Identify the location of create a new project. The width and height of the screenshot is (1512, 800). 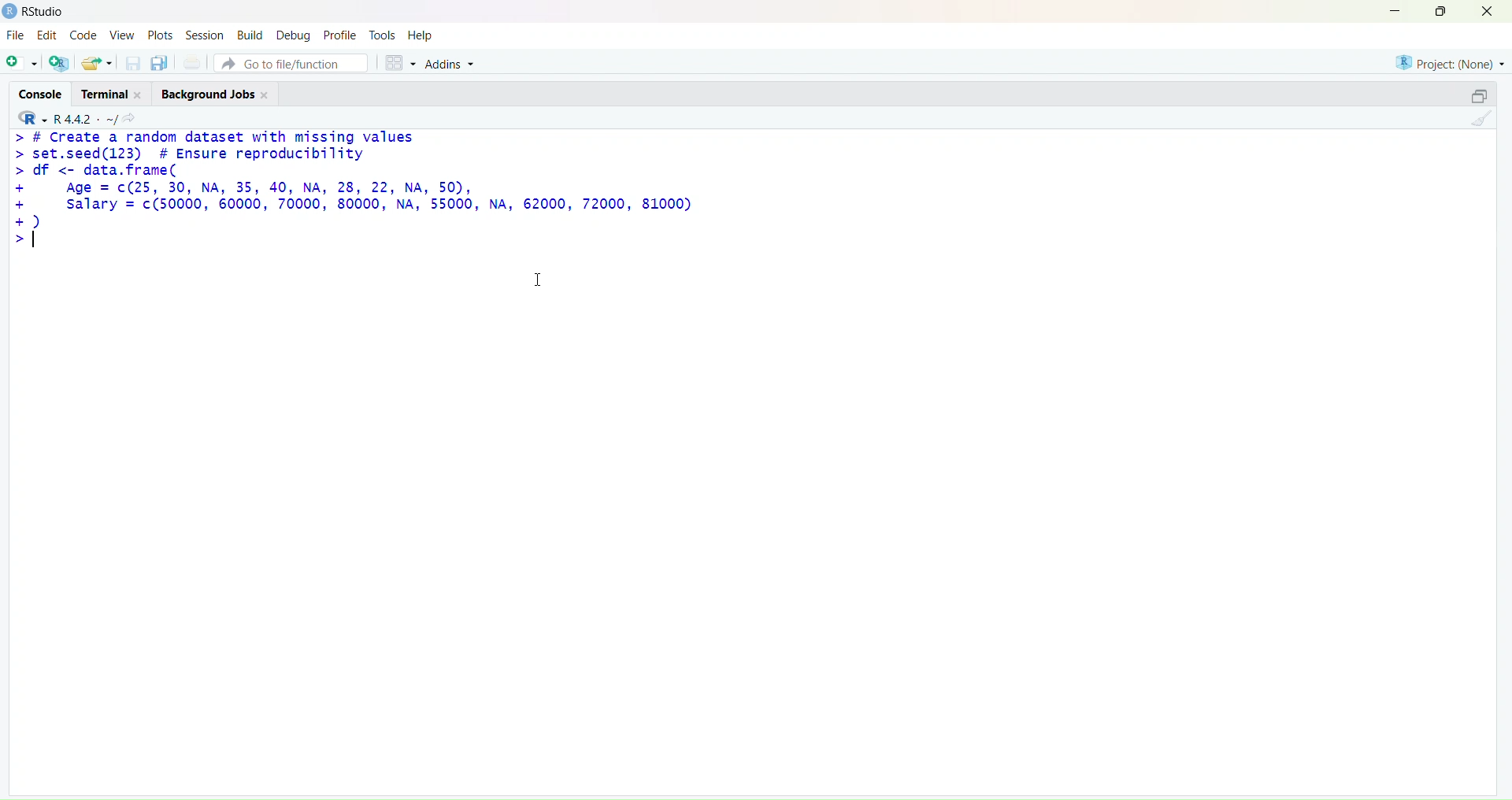
(58, 64).